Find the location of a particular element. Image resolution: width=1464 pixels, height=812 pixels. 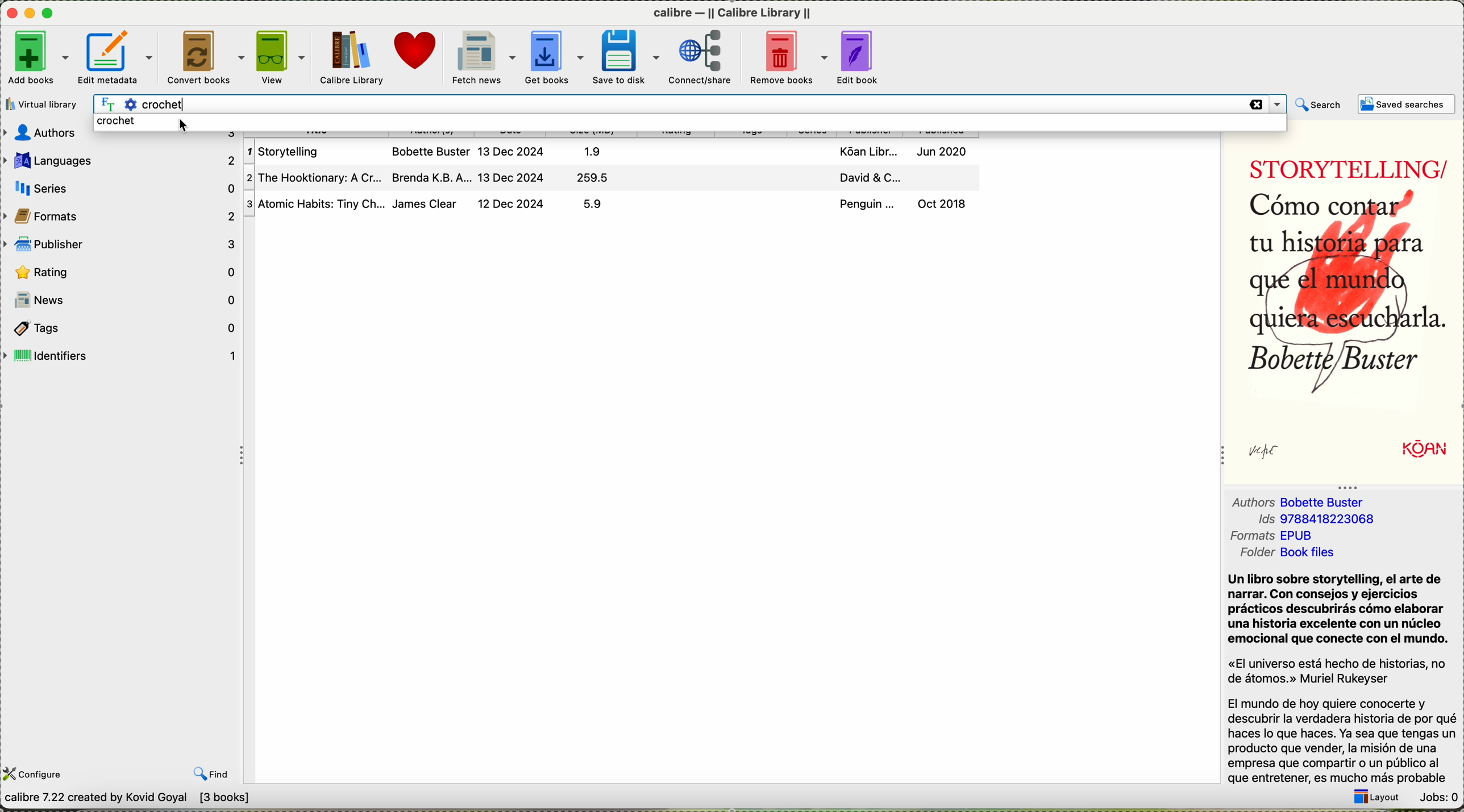

James Clear is located at coordinates (429, 204).